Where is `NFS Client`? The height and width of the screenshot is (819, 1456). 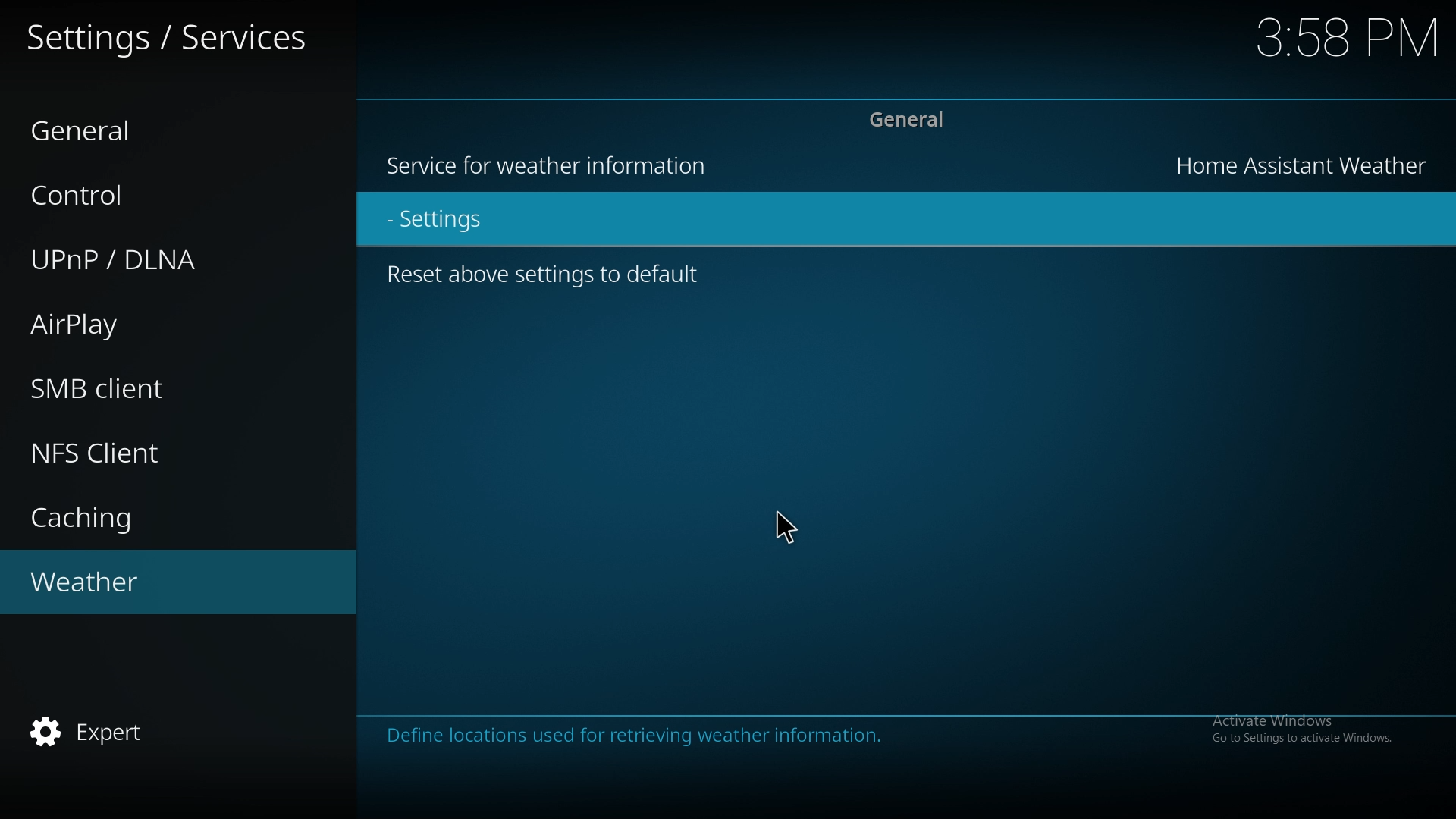 NFS Client is located at coordinates (106, 457).